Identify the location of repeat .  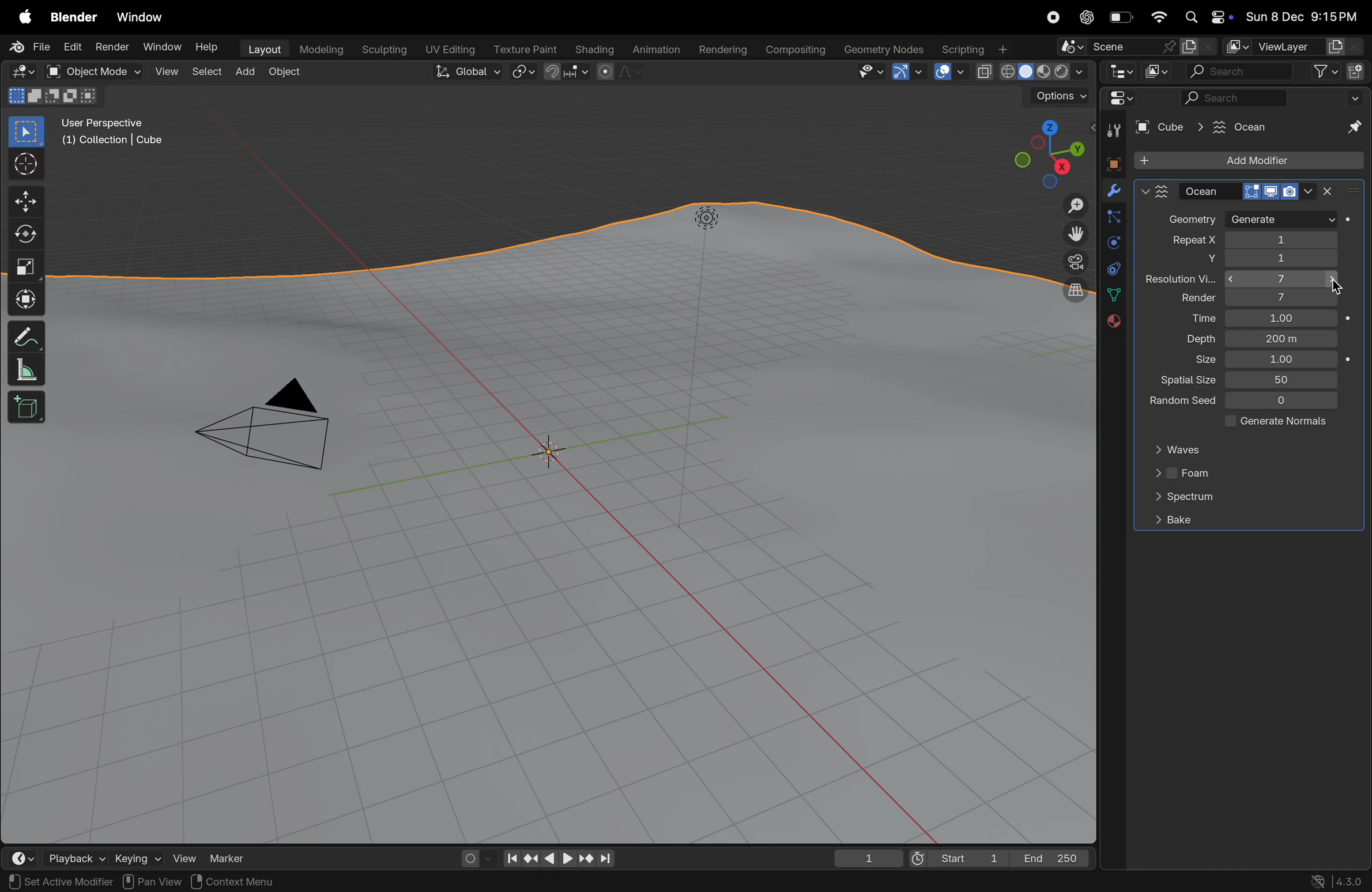
(1185, 241).